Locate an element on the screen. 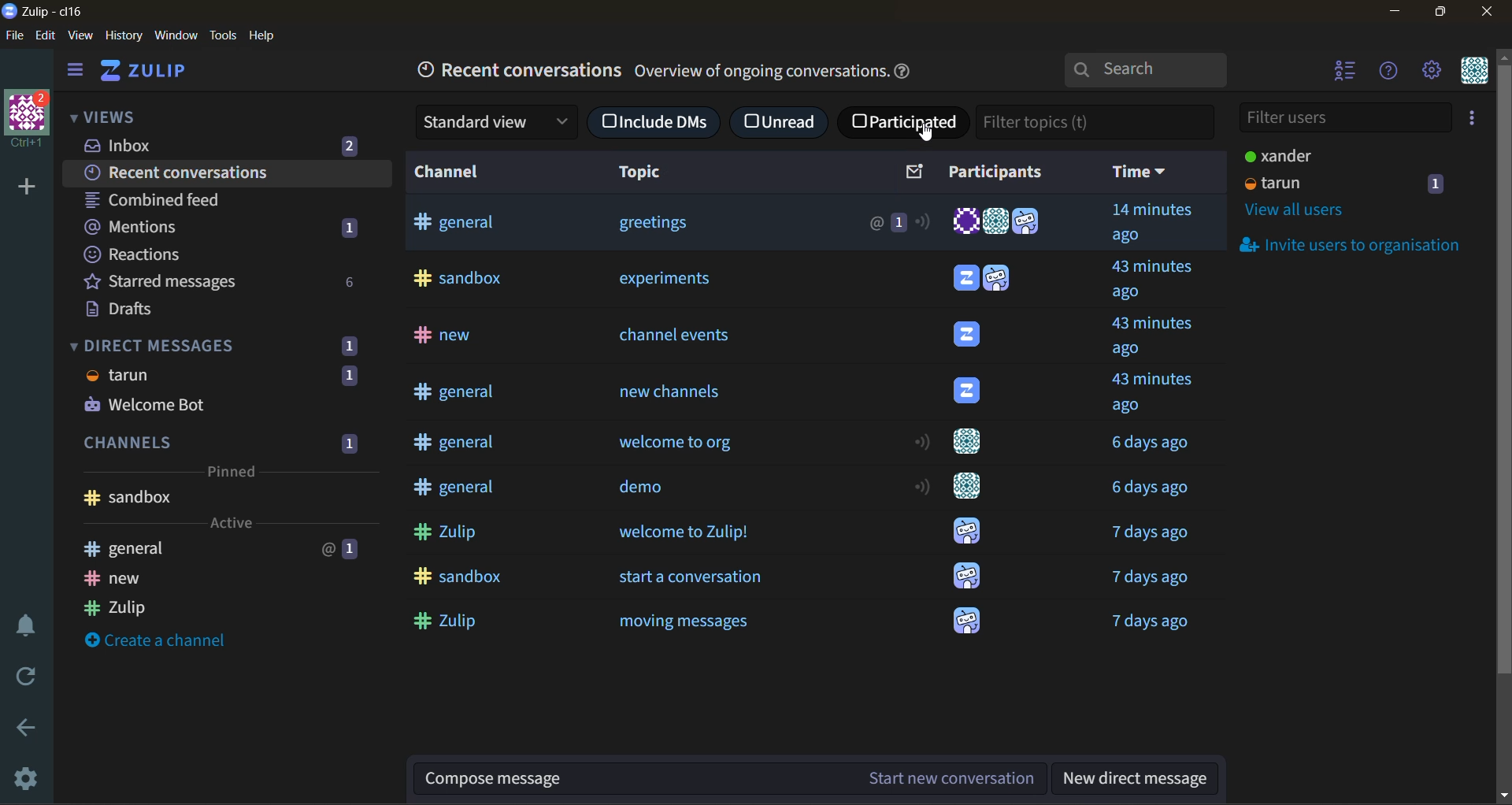 This screenshot has width=1512, height=805. settings is located at coordinates (23, 781).